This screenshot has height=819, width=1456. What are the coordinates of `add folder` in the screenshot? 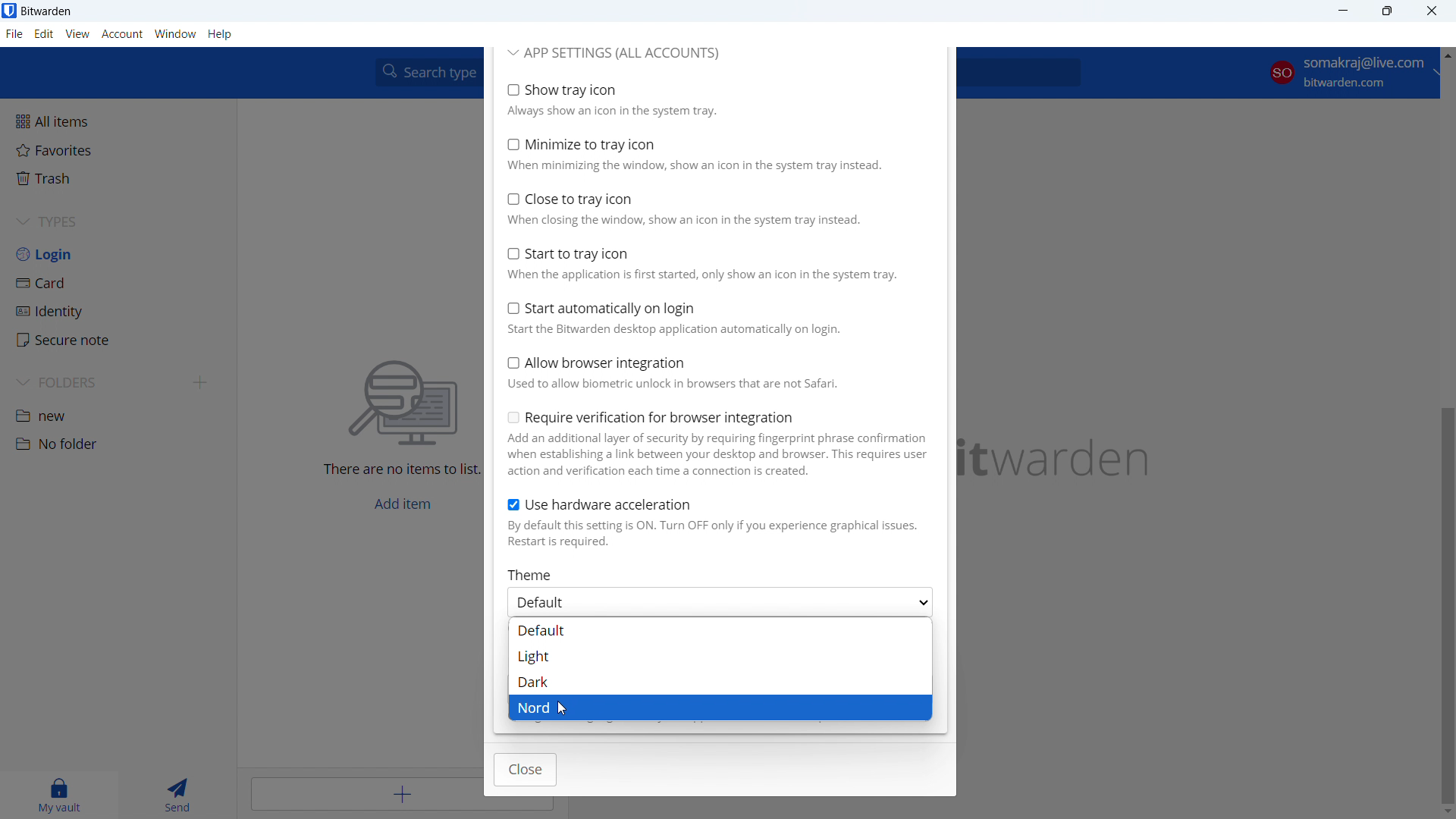 It's located at (202, 382).